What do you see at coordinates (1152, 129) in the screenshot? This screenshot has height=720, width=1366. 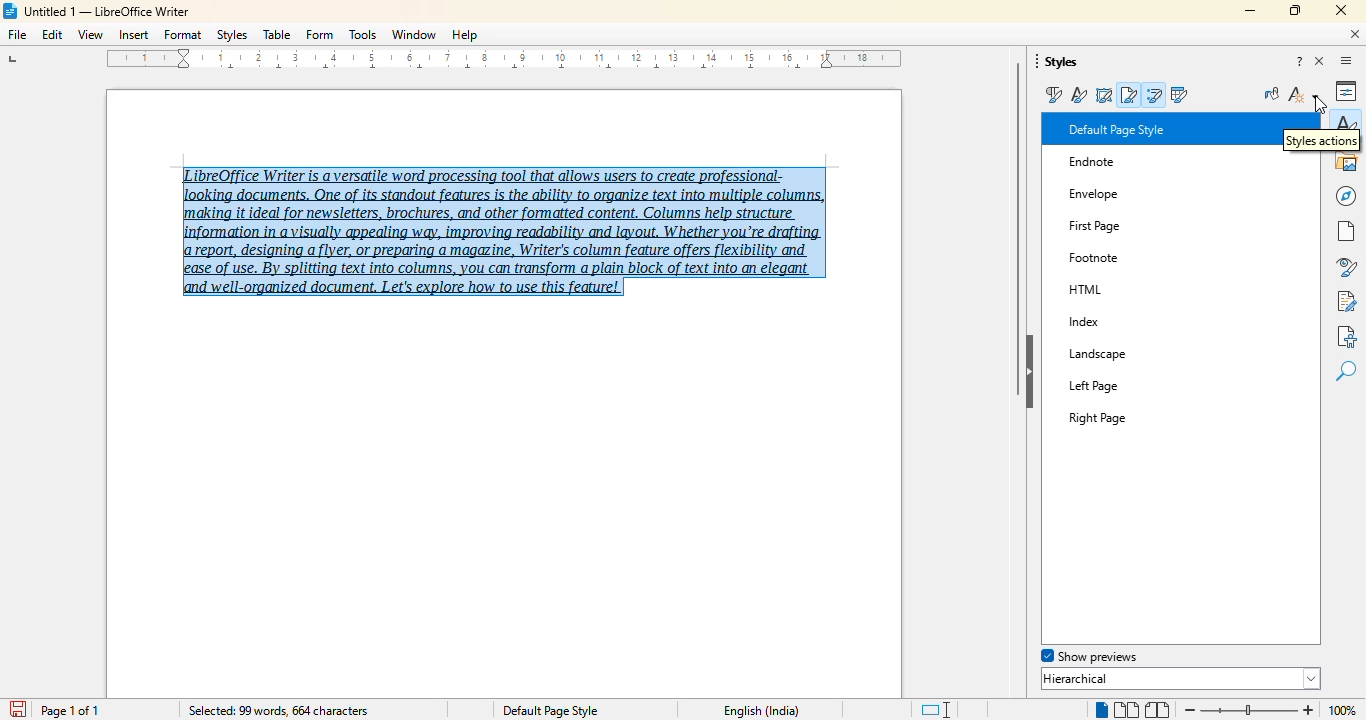 I see `Default Paragraph Style` at bounding box center [1152, 129].